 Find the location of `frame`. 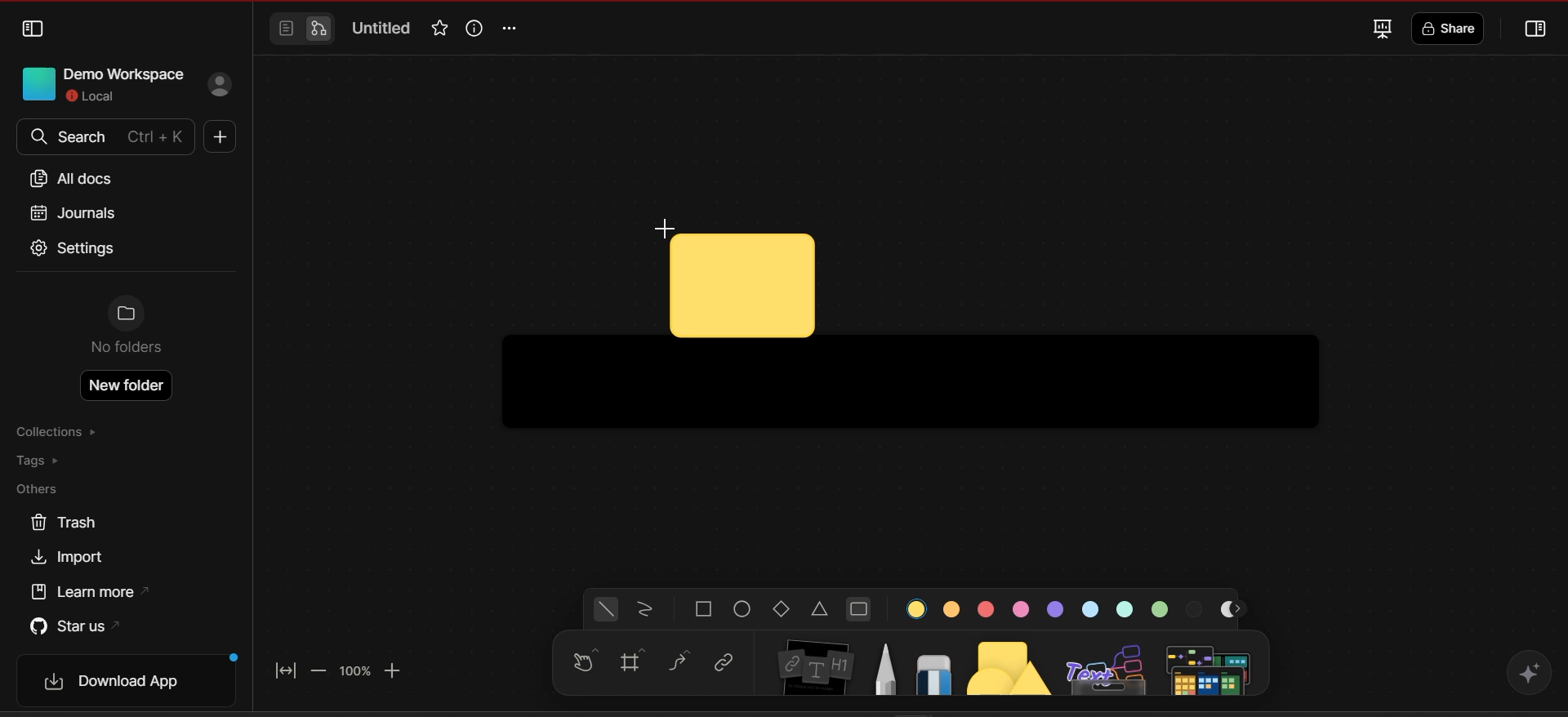

frame is located at coordinates (638, 662).